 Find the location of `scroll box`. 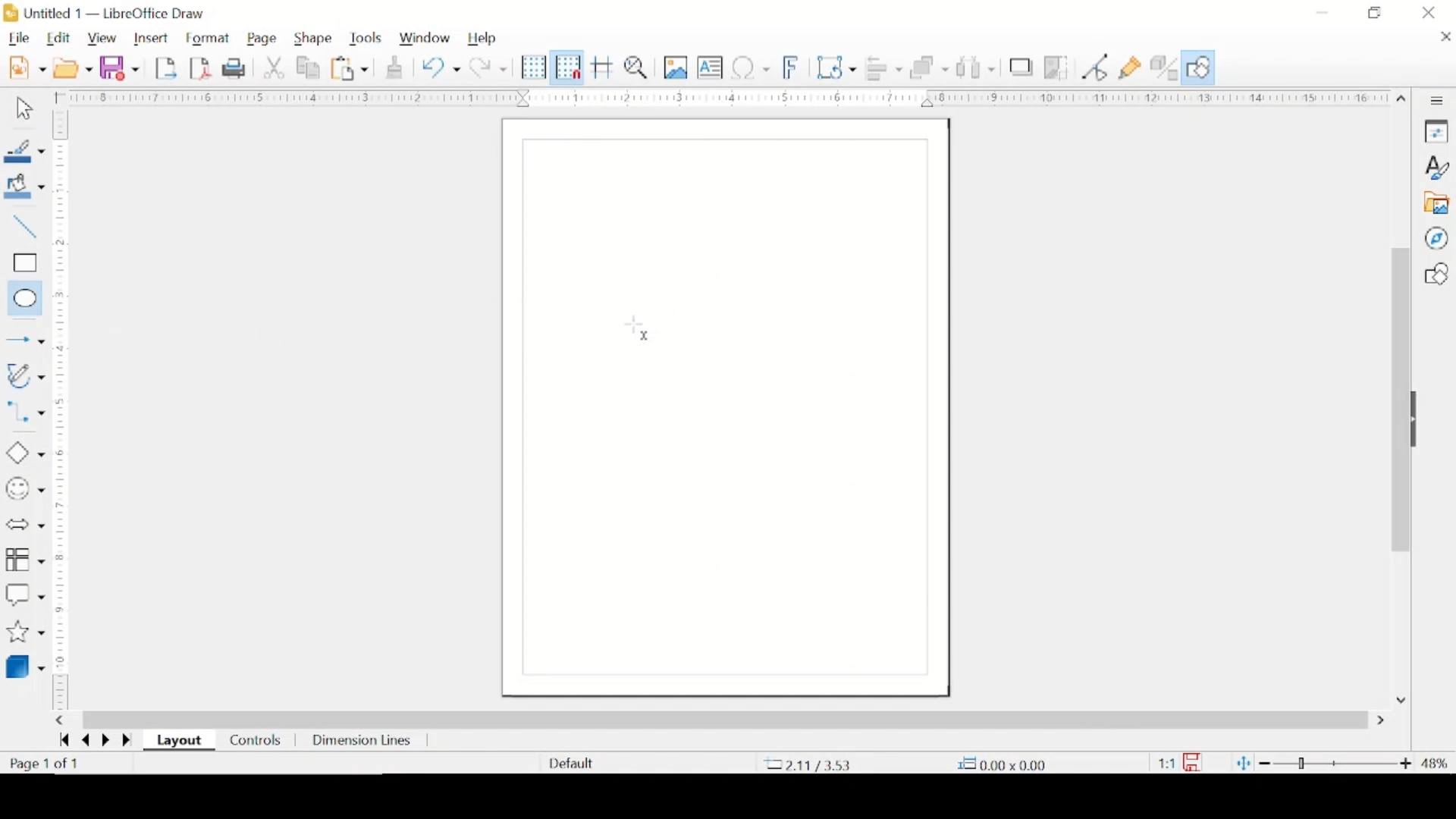

scroll box is located at coordinates (1398, 400).